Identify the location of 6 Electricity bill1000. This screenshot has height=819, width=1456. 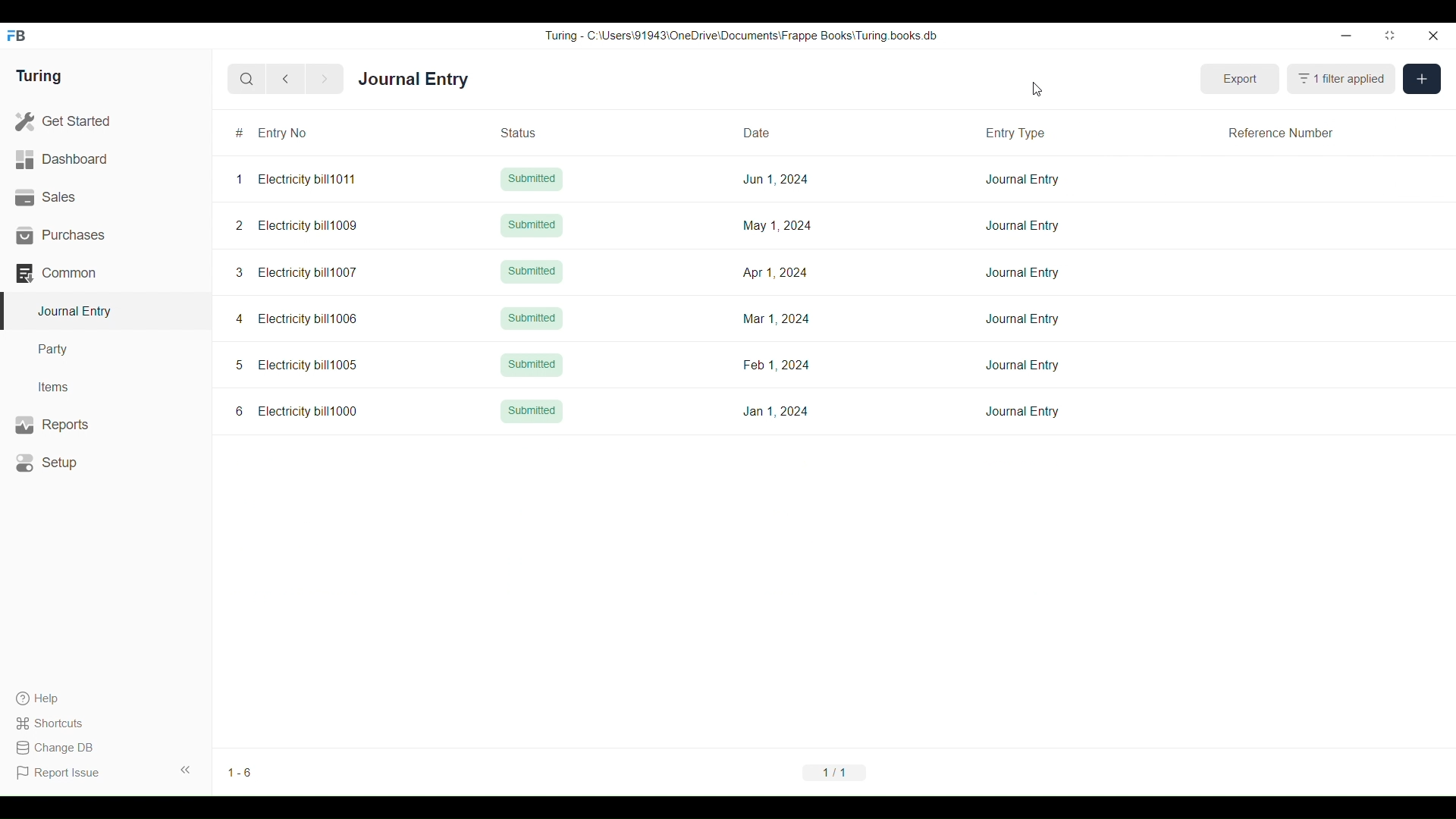
(298, 410).